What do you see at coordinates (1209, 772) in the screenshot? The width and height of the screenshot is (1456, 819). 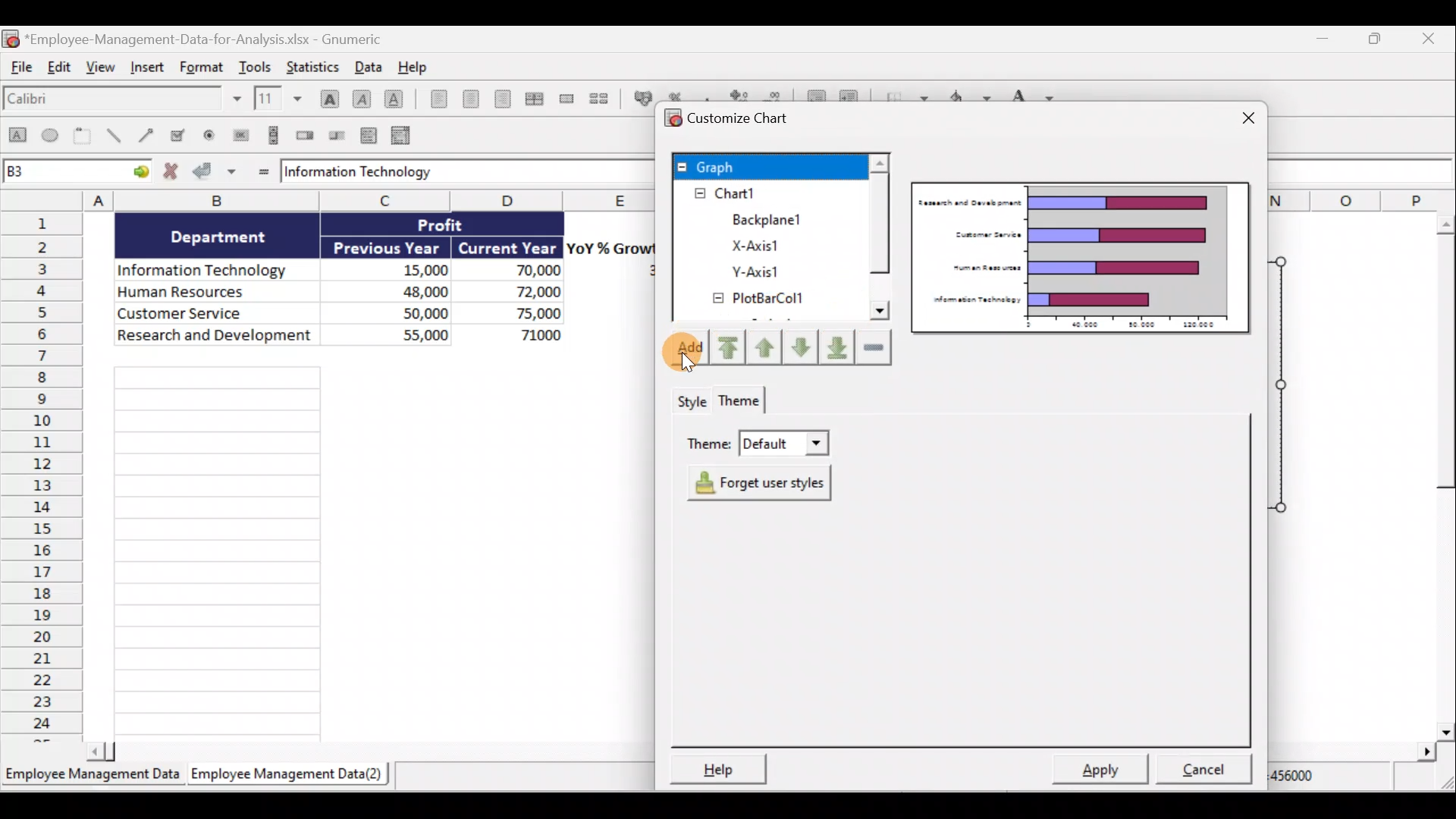 I see `Cancel` at bounding box center [1209, 772].